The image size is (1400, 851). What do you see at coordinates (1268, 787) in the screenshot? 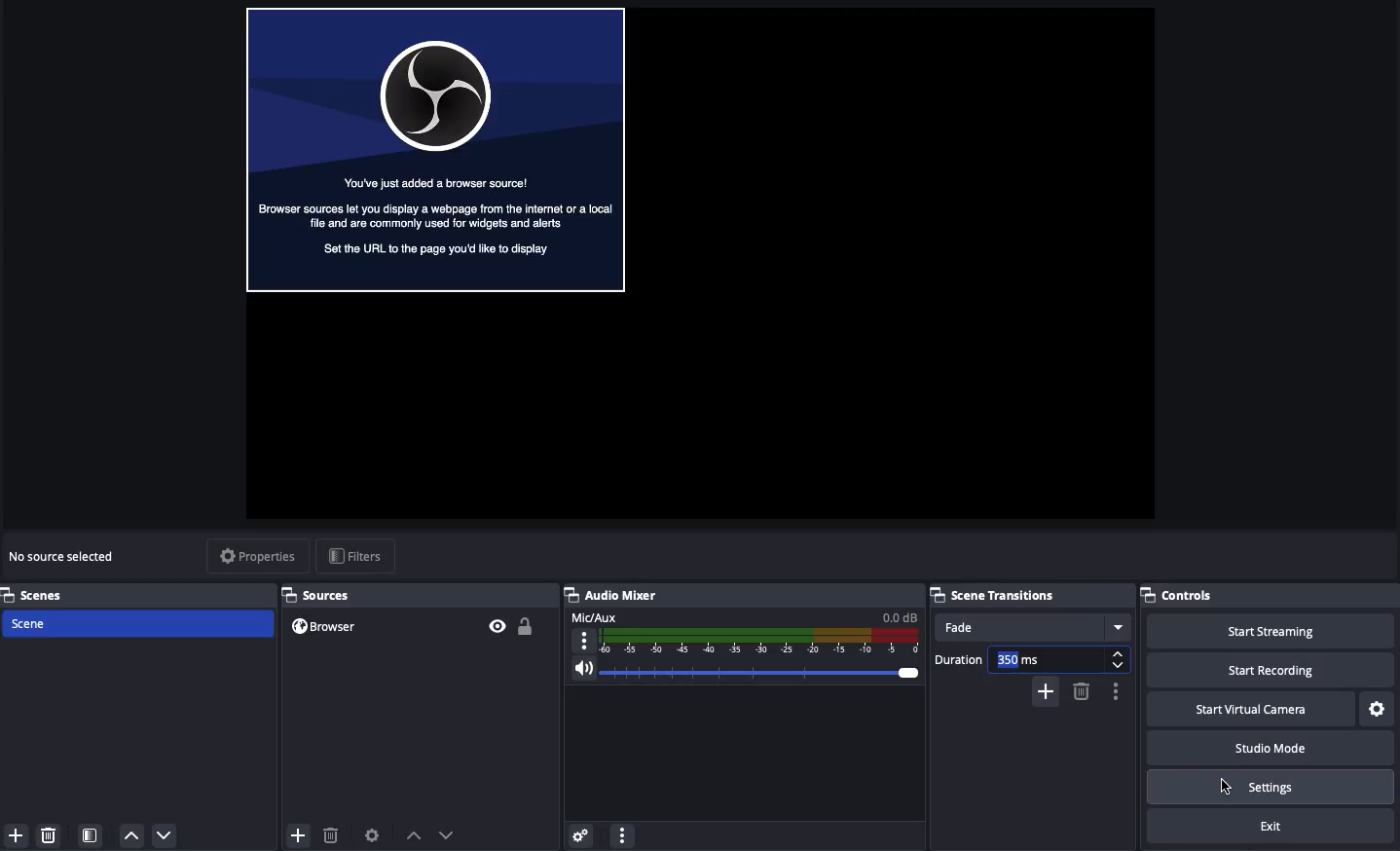
I see `Settings` at bounding box center [1268, 787].